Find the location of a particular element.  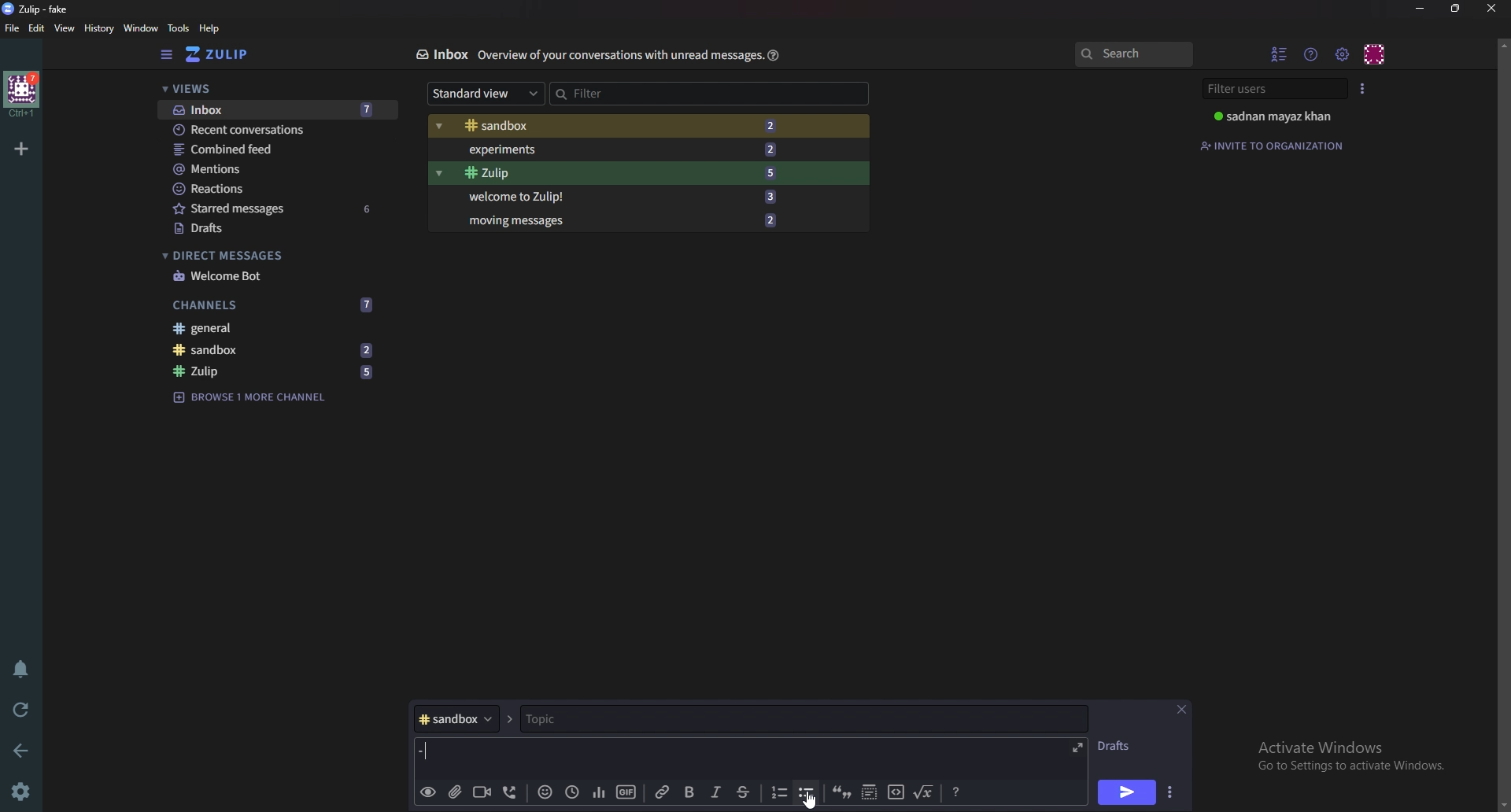

title is located at coordinates (43, 9).